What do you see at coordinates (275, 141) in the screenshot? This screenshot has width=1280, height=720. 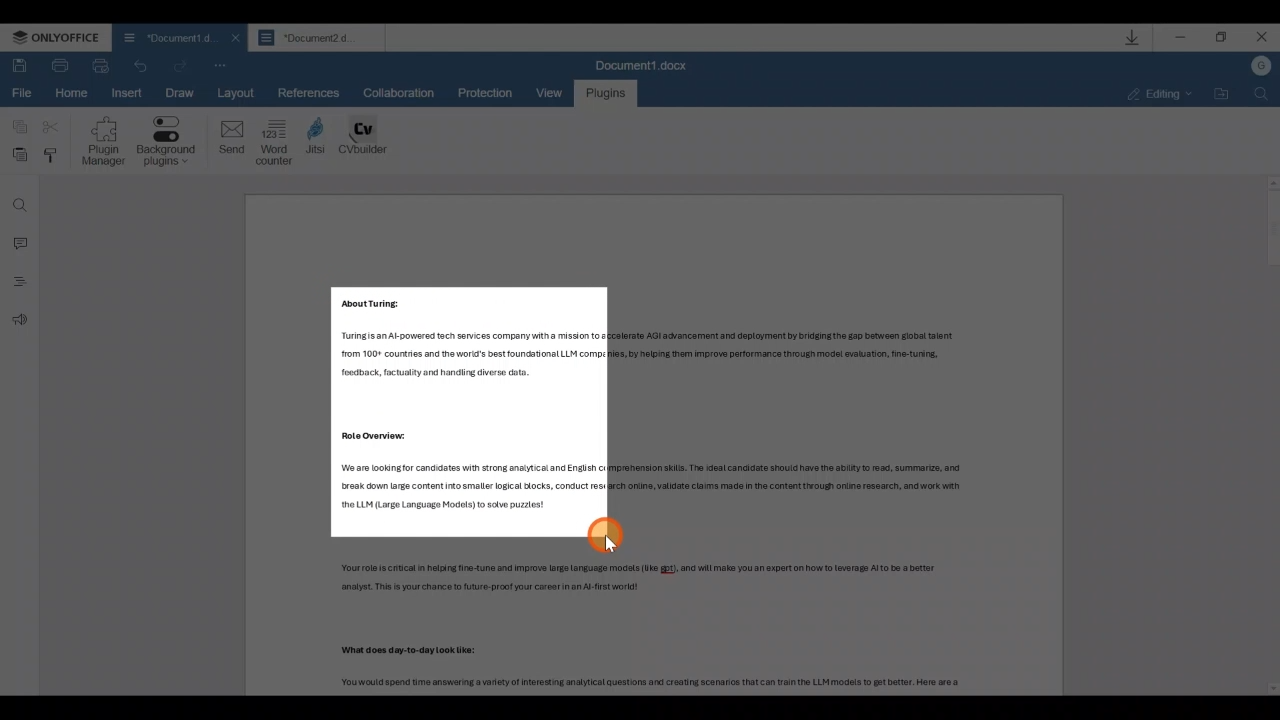 I see `Word counter` at bounding box center [275, 141].